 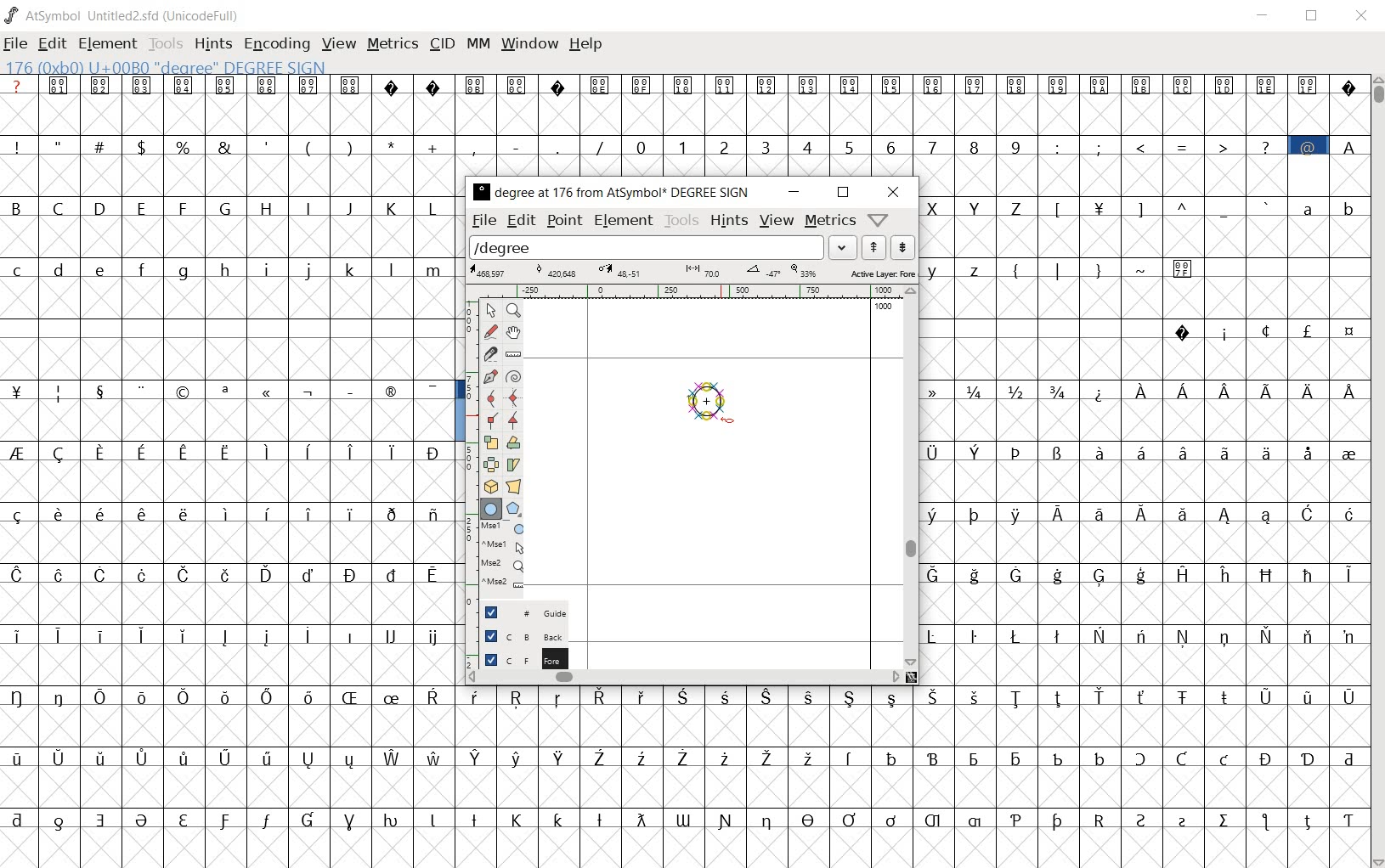 I want to click on guide, so click(x=517, y=612).